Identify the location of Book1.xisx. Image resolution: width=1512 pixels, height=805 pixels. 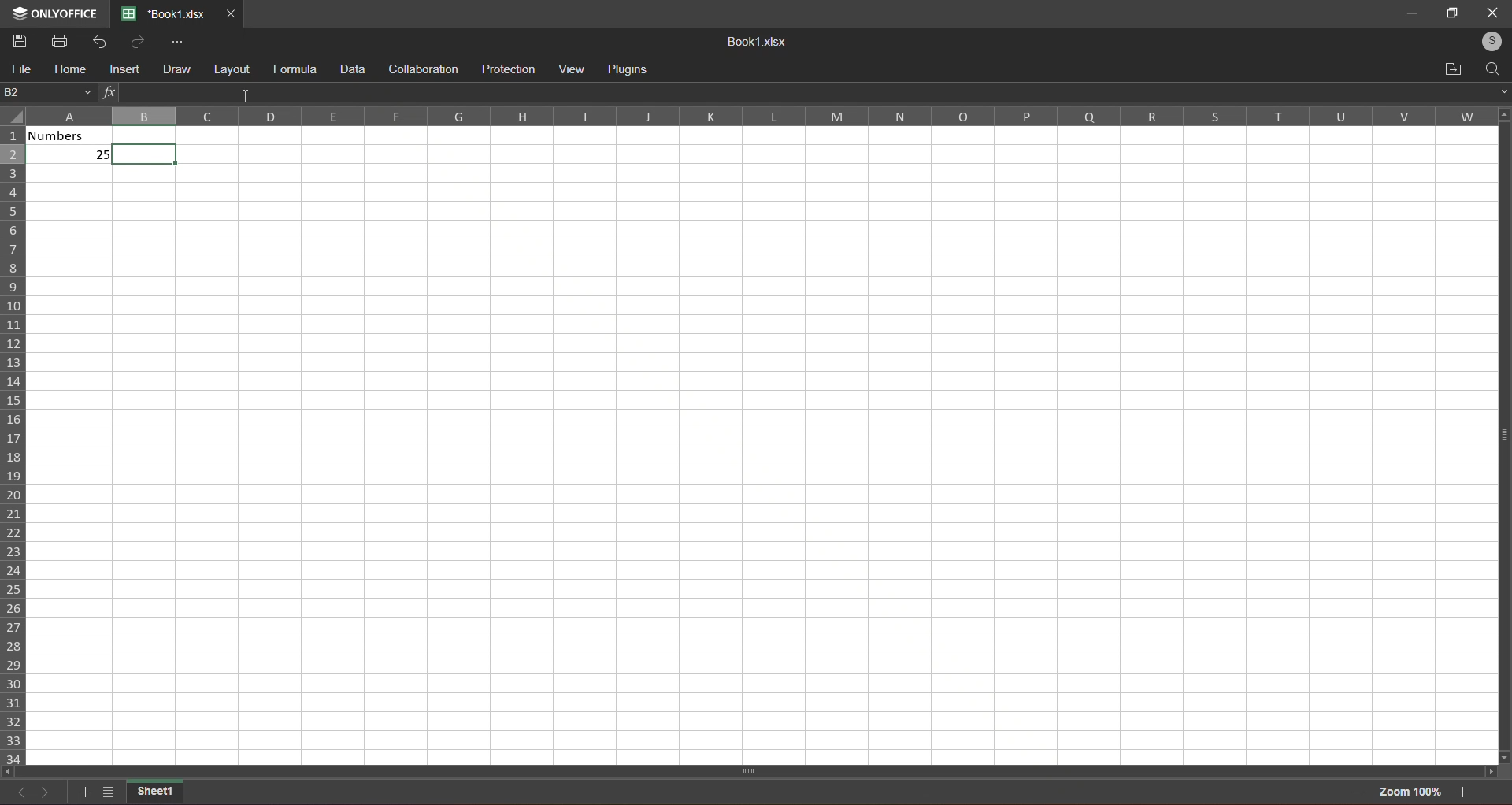
(754, 42).